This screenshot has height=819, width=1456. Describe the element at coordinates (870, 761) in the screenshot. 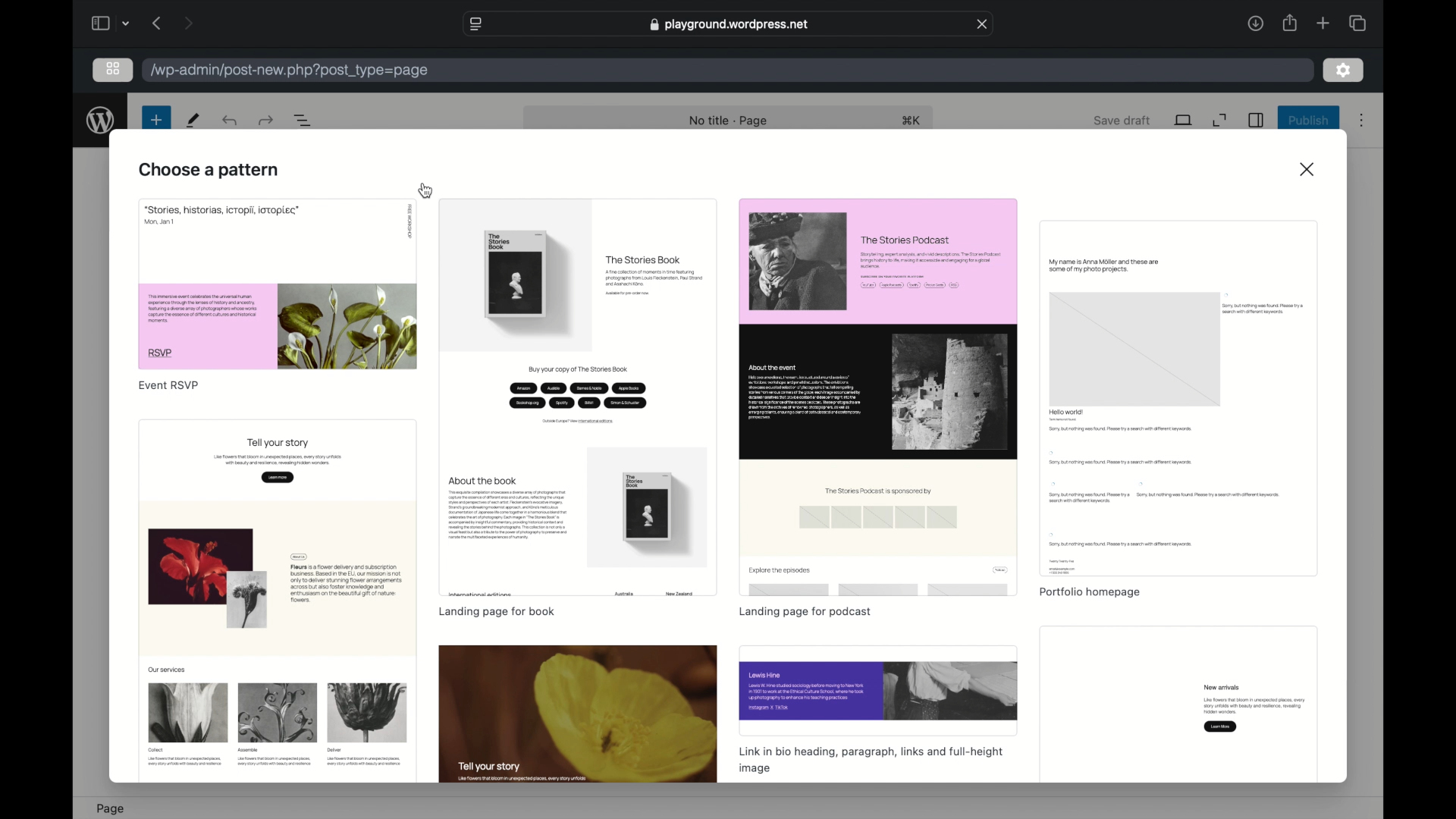

I see `link in bio, heading, paragraph, links and full-height image` at that location.